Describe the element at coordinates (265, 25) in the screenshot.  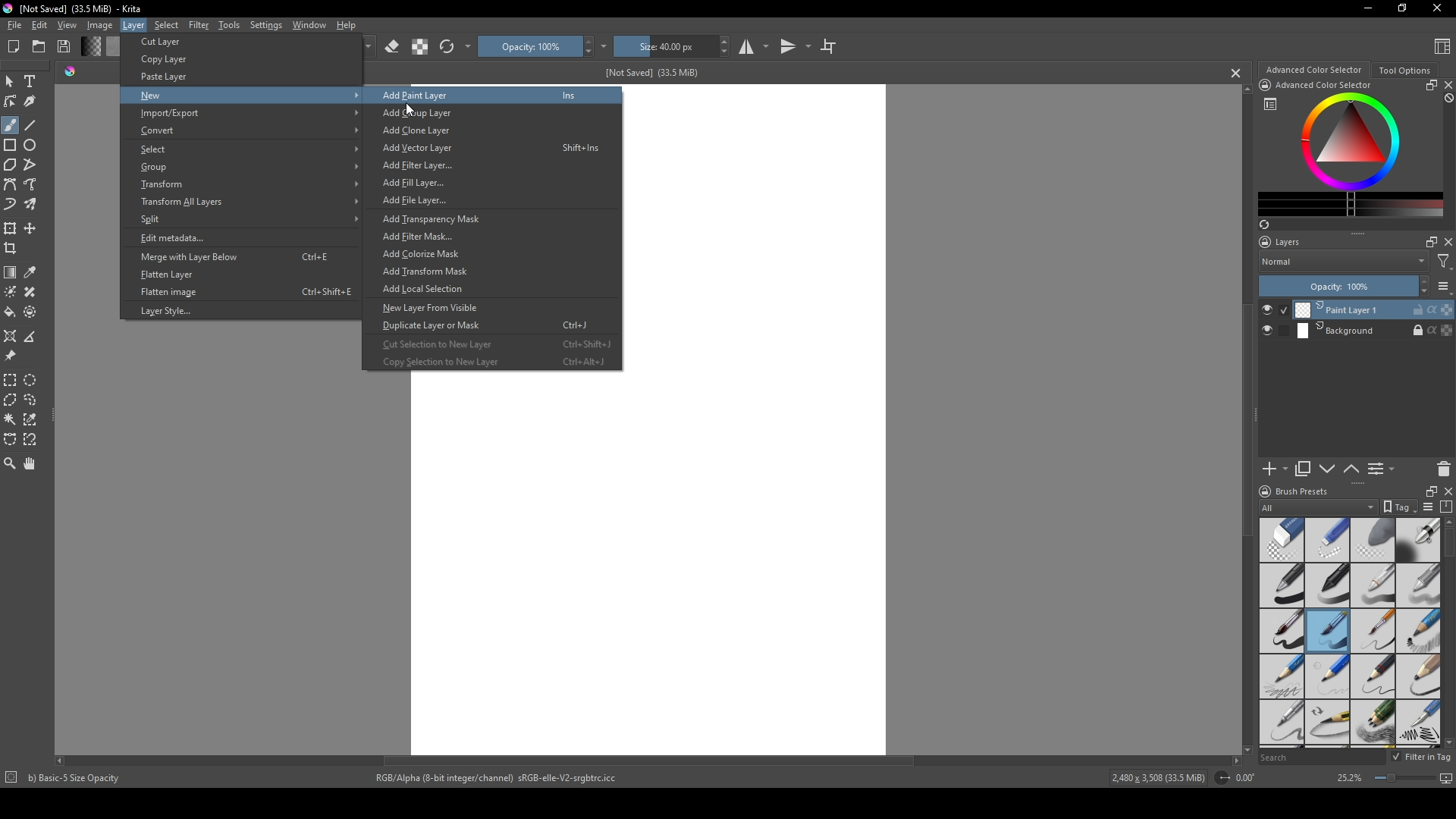
I see `Settings` at that location.